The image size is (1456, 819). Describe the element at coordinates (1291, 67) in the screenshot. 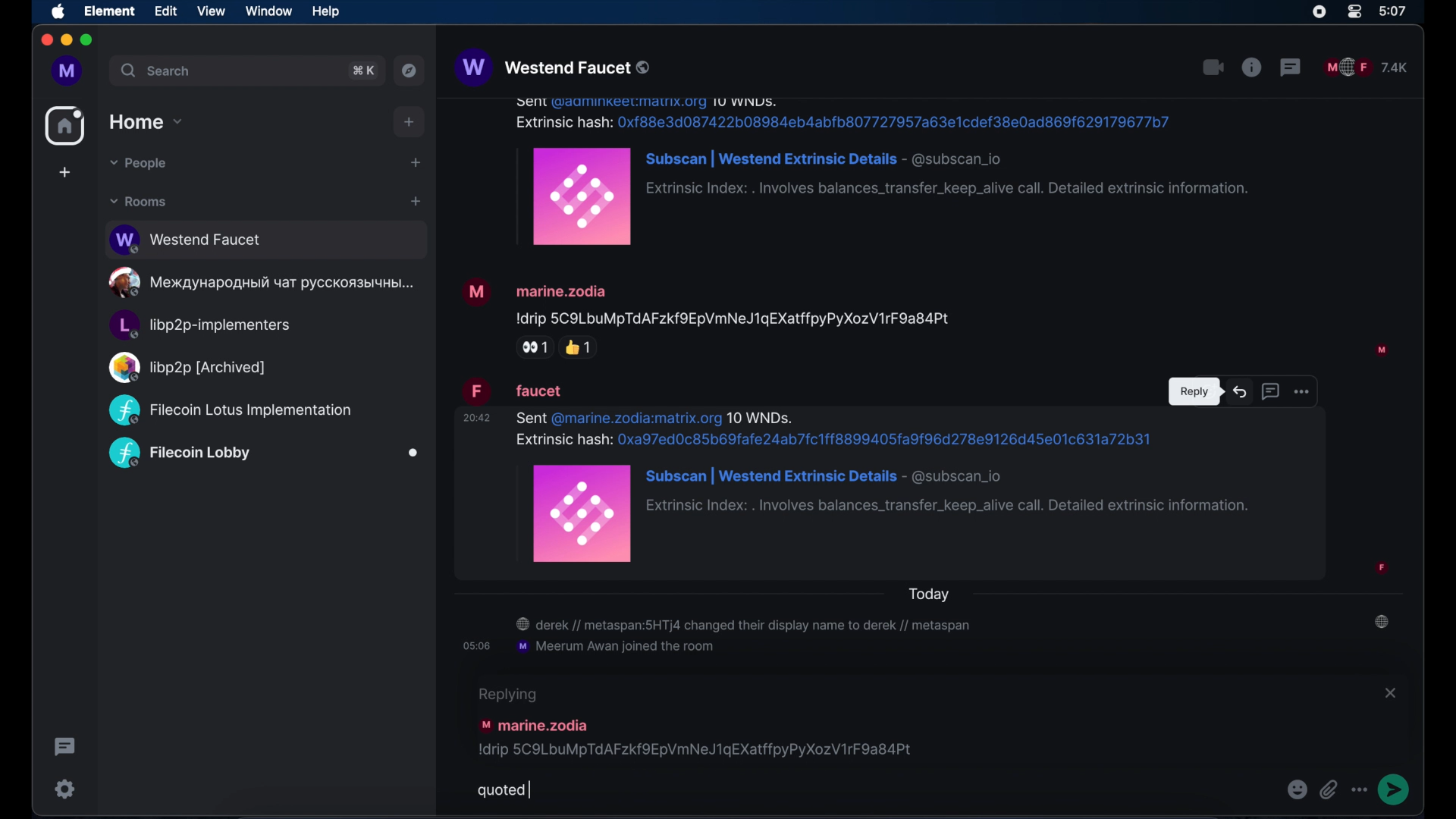

I see `threads` at that location.